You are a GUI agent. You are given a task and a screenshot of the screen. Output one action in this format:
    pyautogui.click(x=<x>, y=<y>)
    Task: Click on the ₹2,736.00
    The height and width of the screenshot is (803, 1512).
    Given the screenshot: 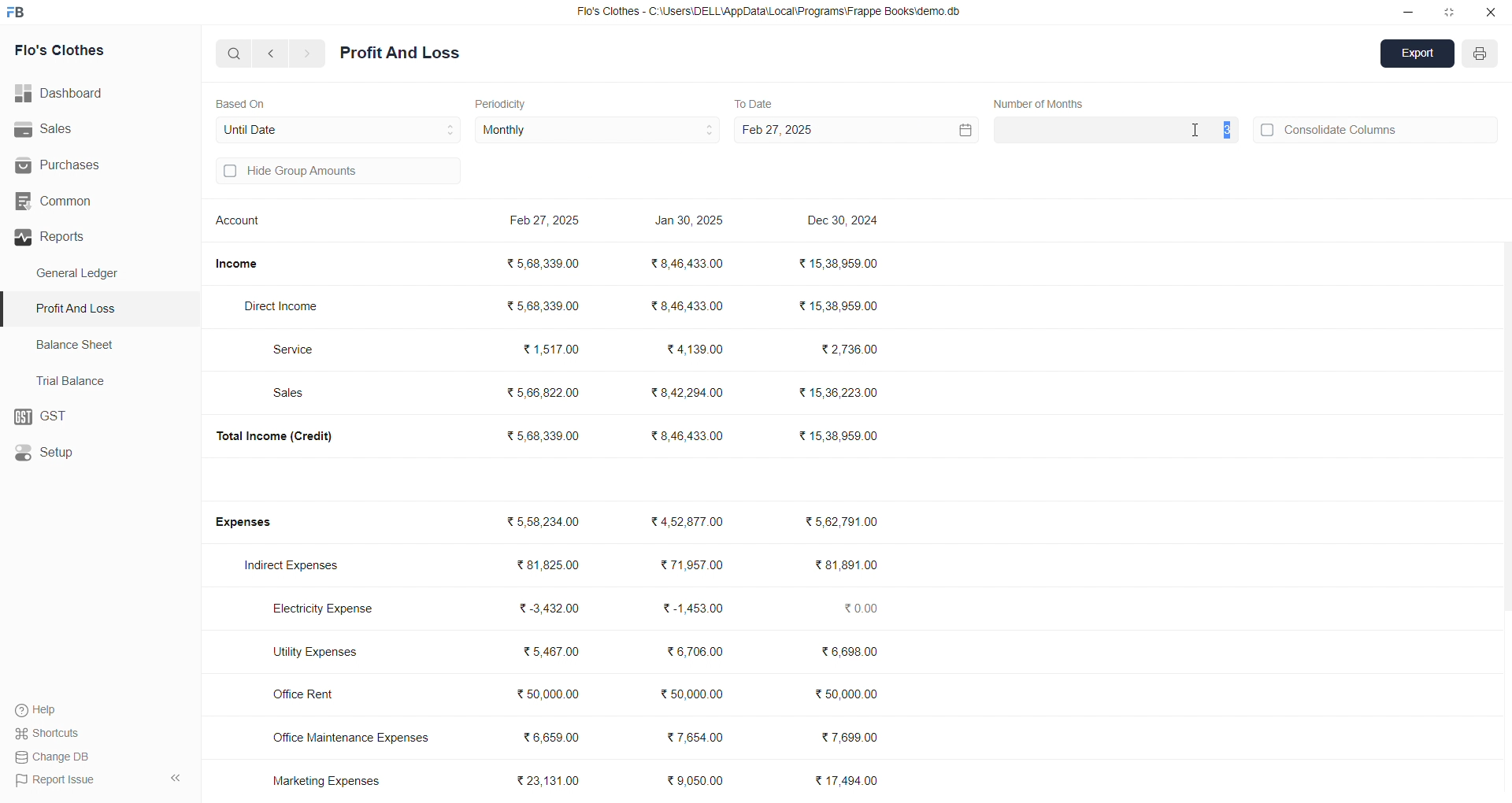 What is the action you would take?
    pyautogui.click(x=851, y=350)
    